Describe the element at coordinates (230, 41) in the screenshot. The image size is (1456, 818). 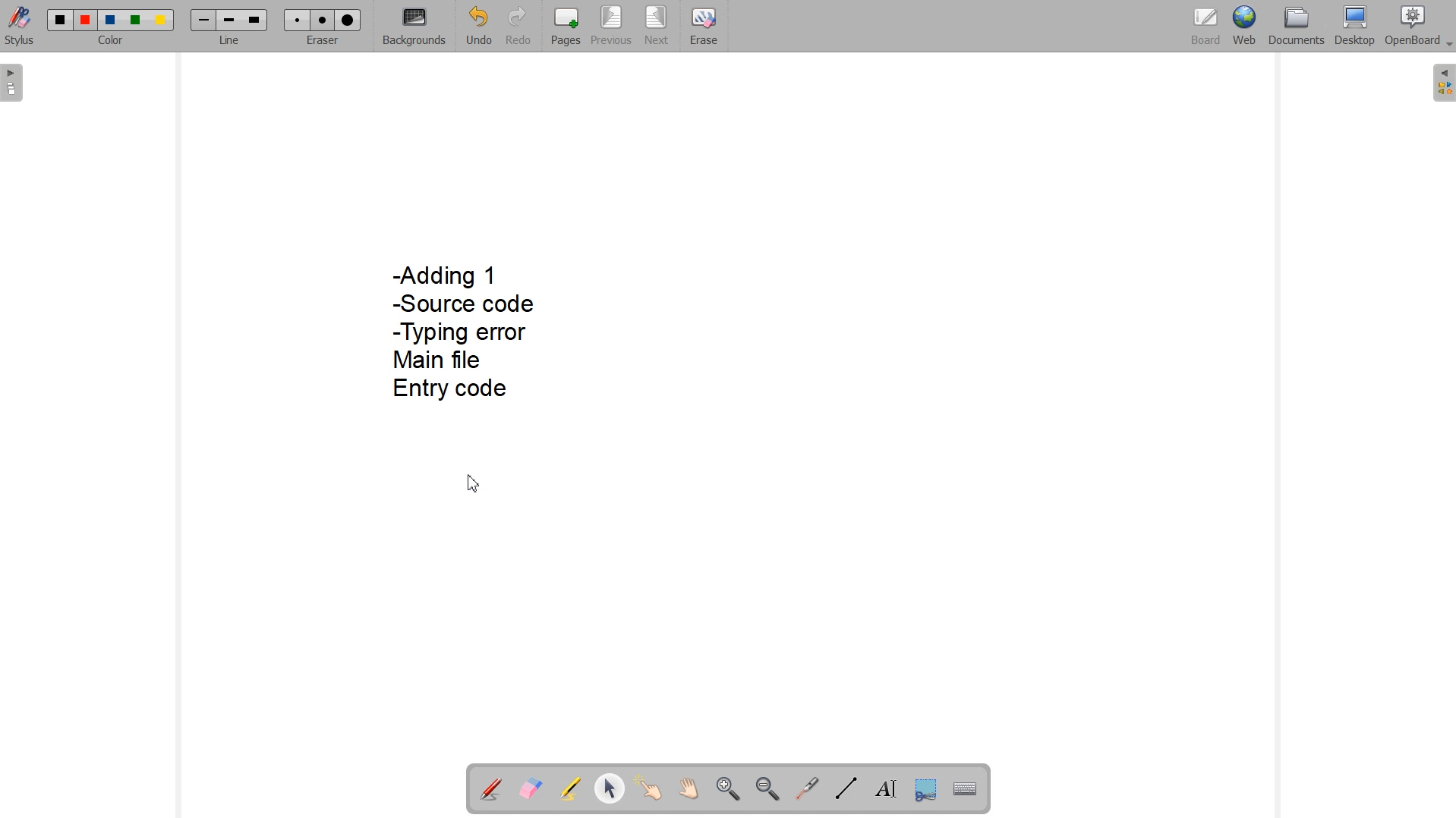
I see `Line` at that location.